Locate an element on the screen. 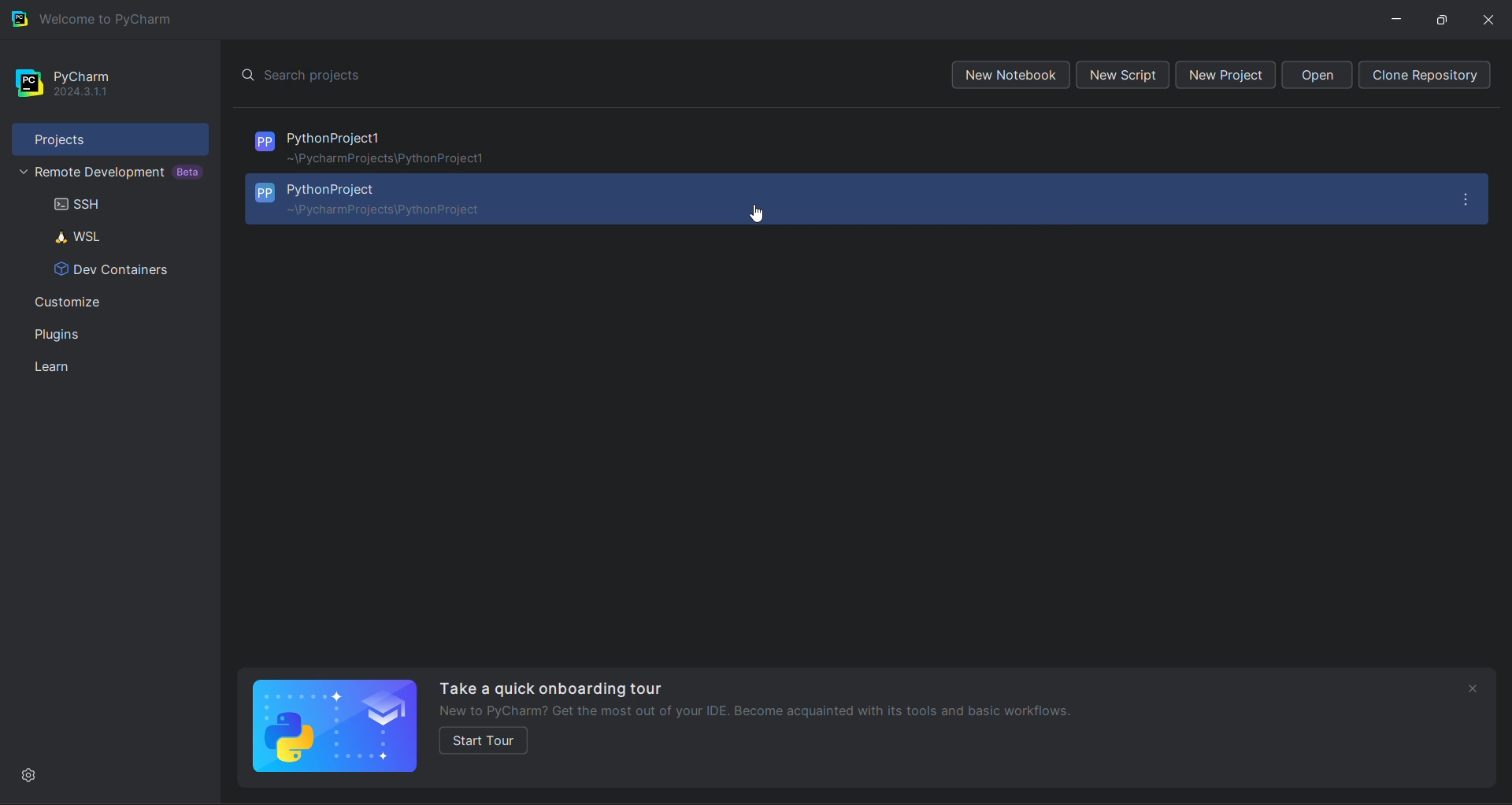  image is located at coordinates (335, 725).